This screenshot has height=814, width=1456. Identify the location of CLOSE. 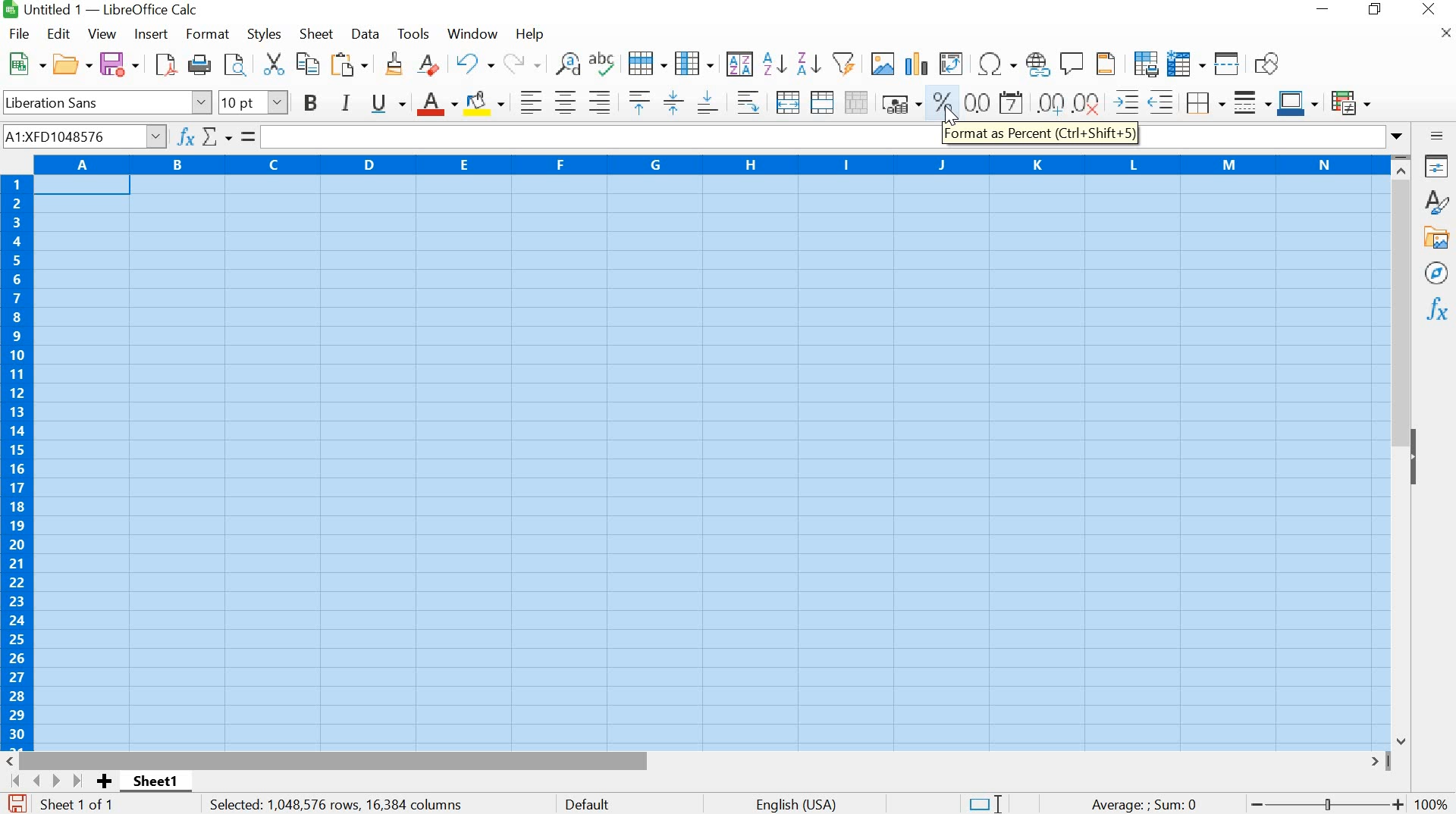
(1427, 9).